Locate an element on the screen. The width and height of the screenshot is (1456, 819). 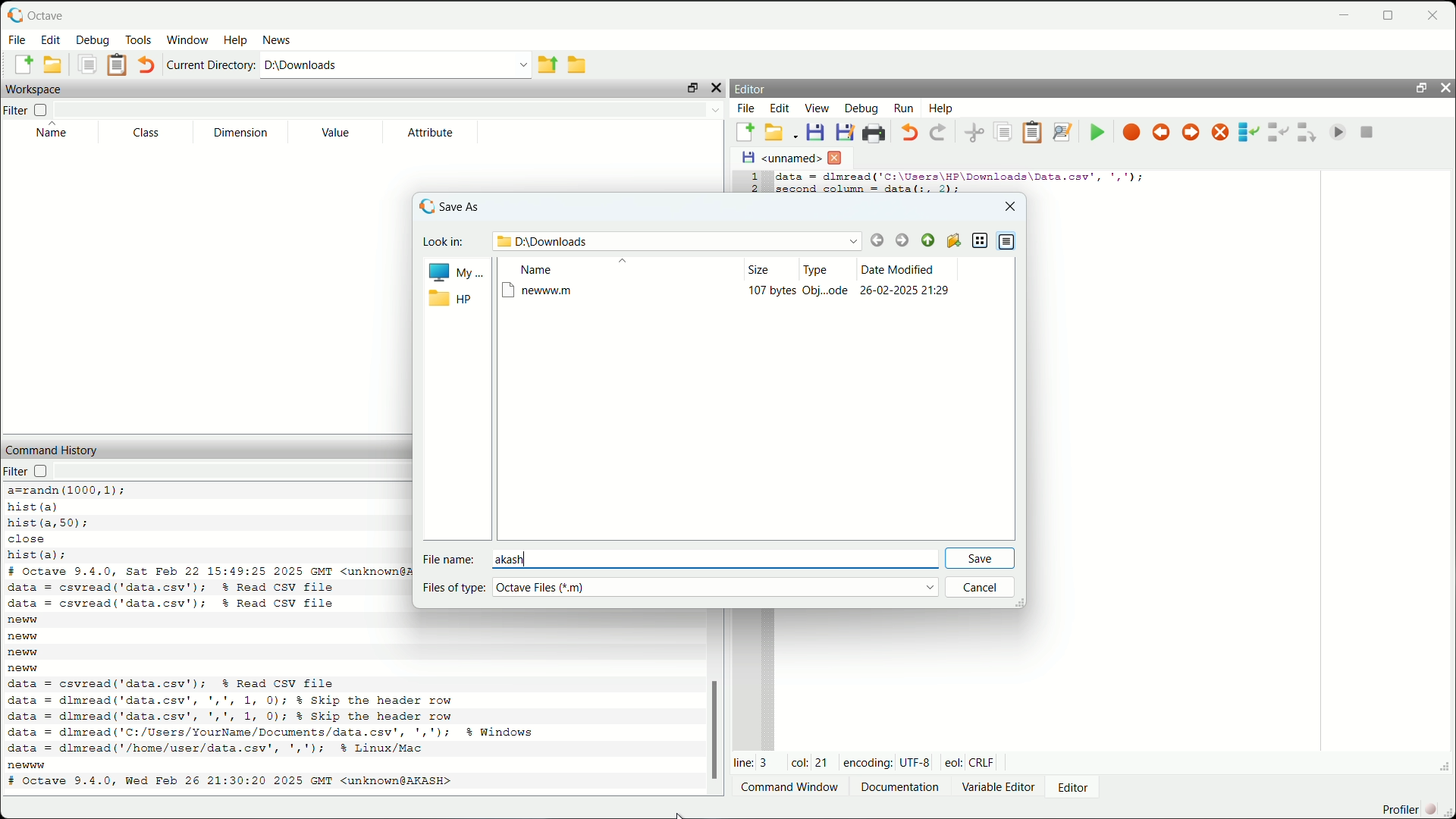
expand is located at coordinates (1442, 767).